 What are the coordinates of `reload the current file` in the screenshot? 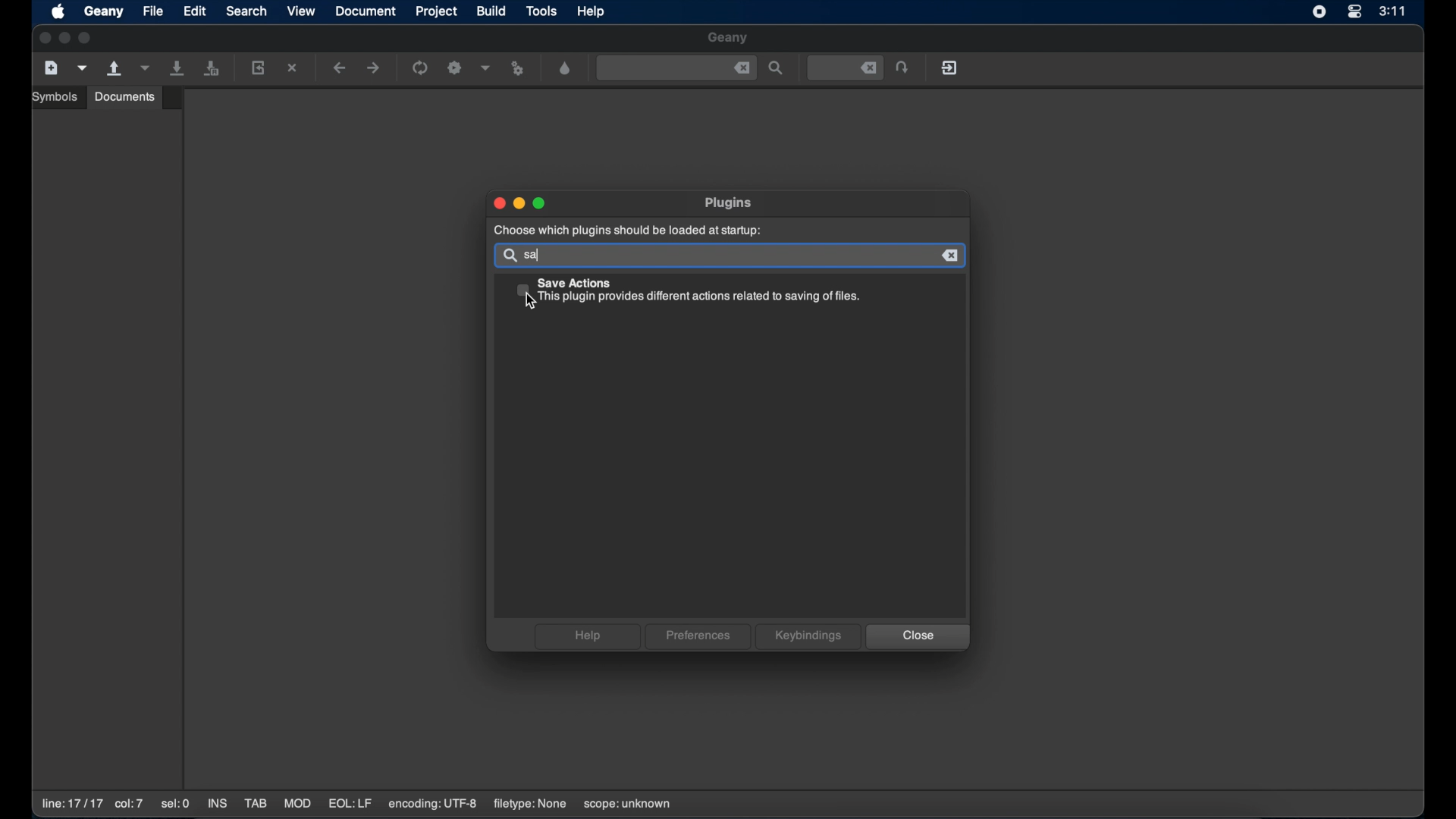 It's located at (259, 67).